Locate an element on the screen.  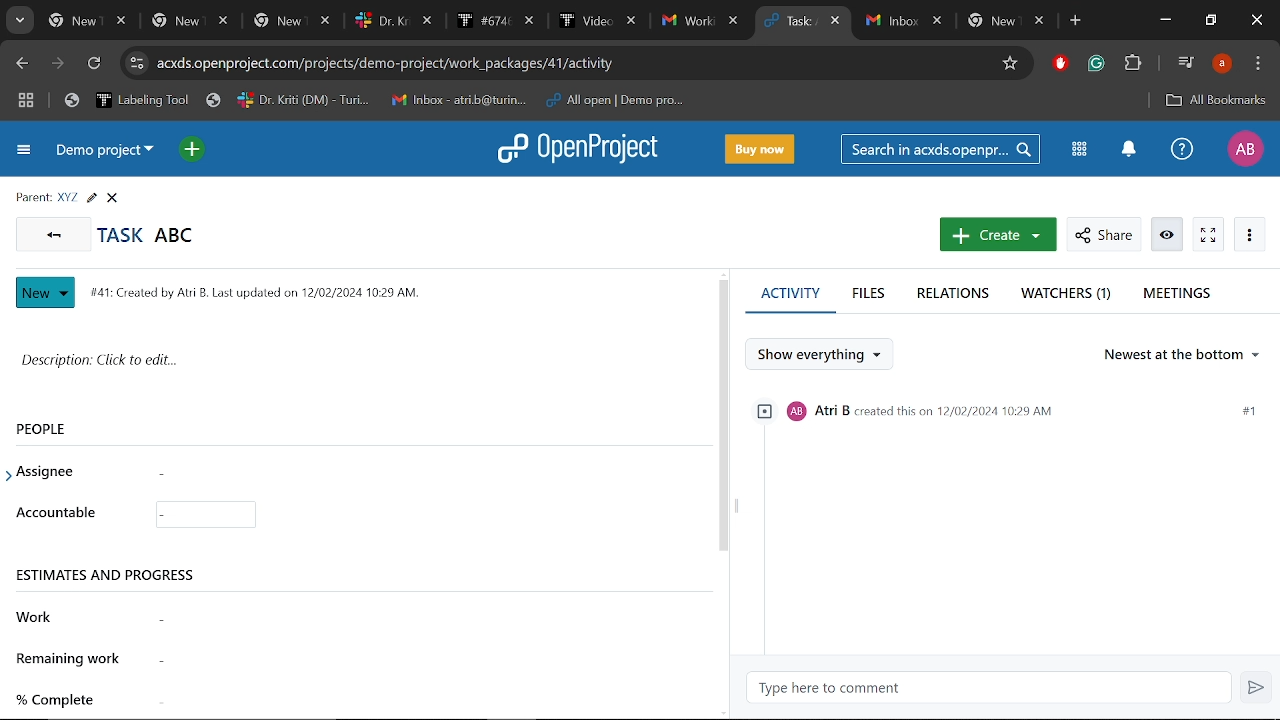
cite info is located at coordinates (138, 62).